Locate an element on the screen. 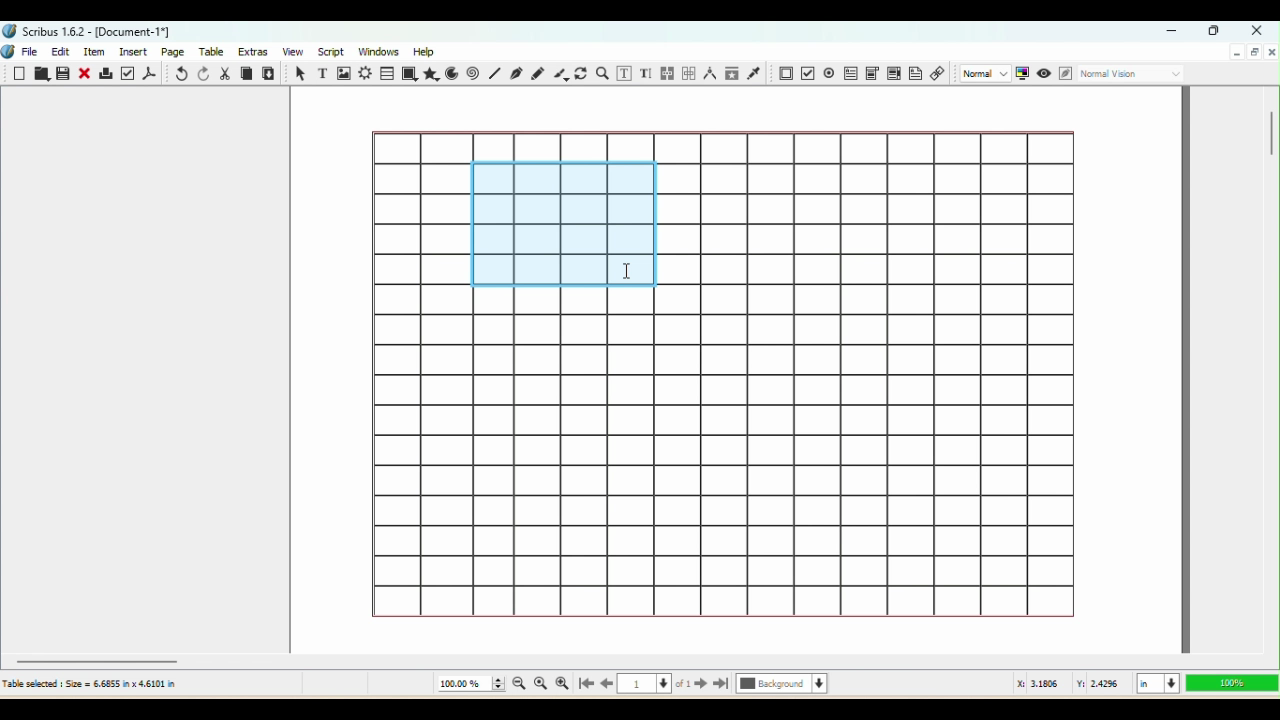 This screenshot has width=1280, height=720. Shape tool is located at coordinates (410, 74).